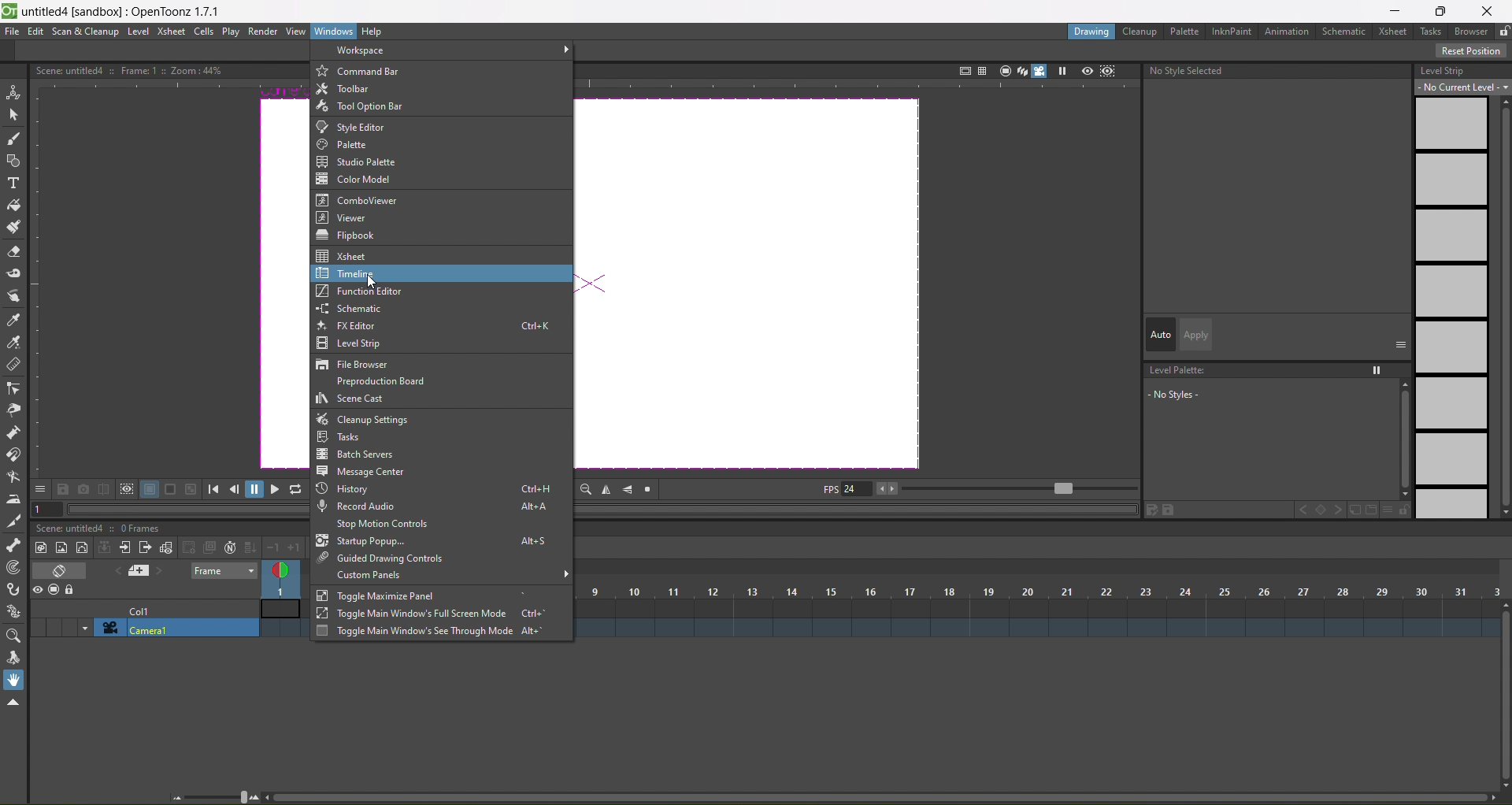 This screenshot has height=805, width=1512. I want to click on windows, so click(334, 31).